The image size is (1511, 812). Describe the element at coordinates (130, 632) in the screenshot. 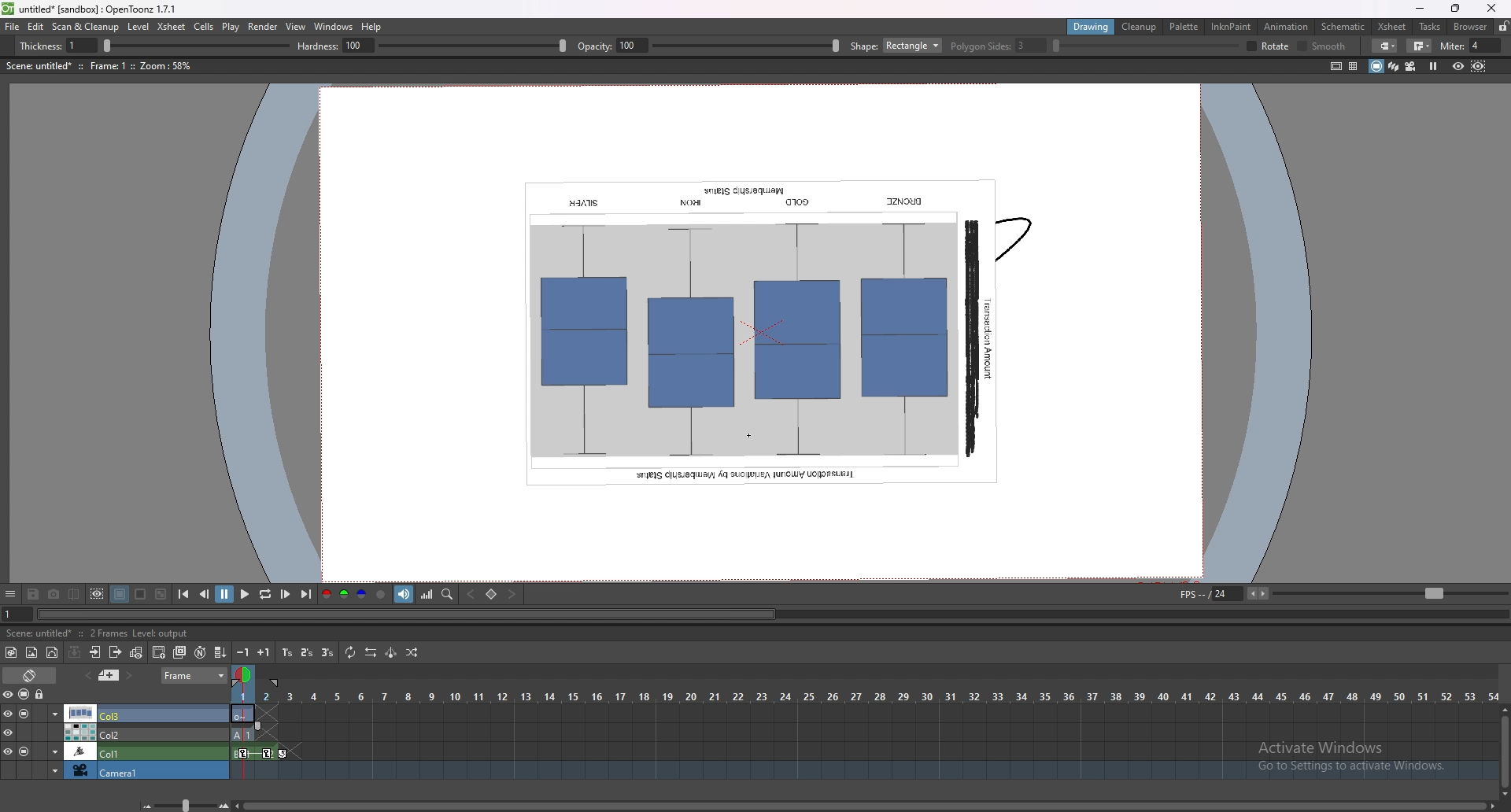

I see `description` at that location.